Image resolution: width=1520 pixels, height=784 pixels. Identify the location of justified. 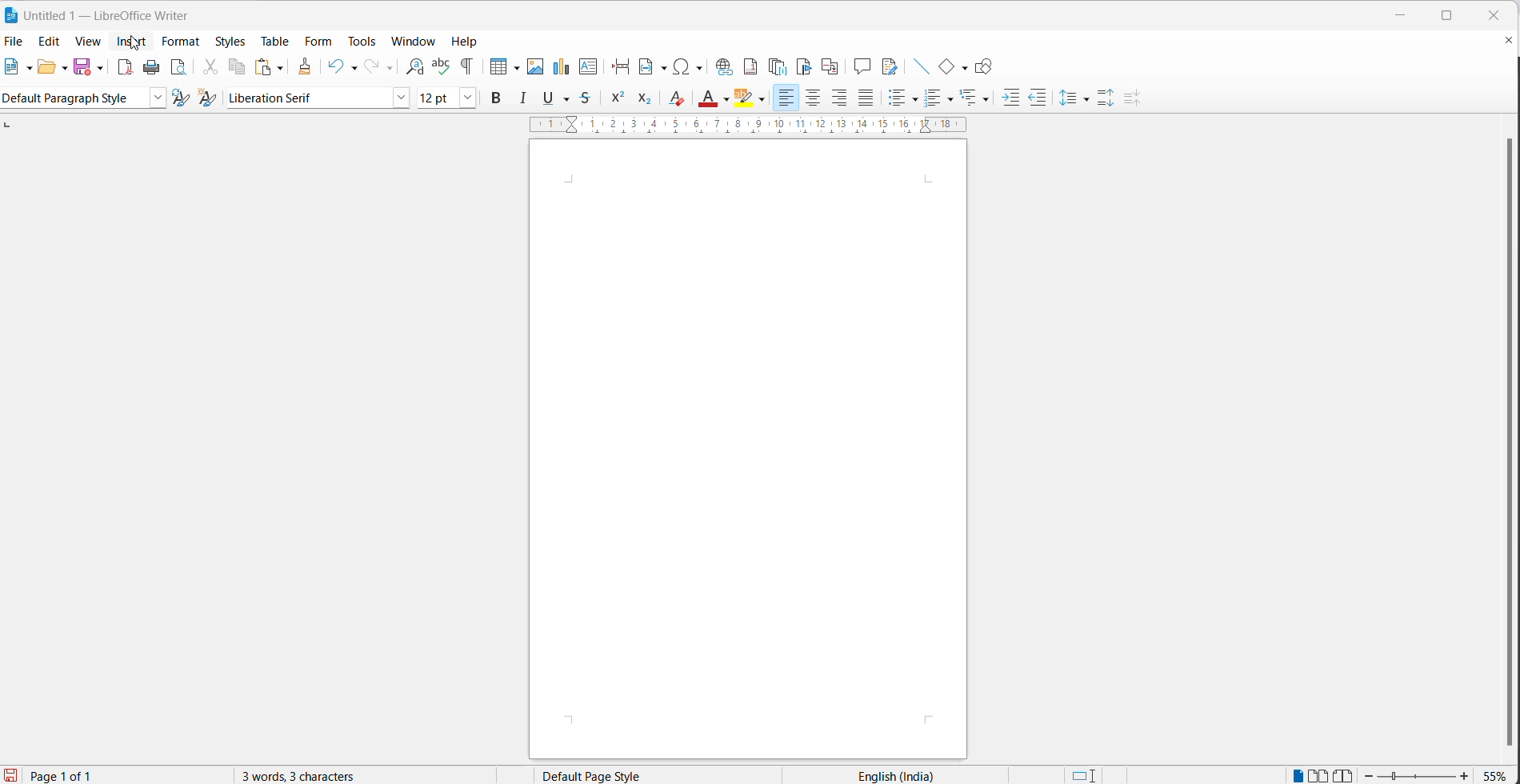
(867, 98).